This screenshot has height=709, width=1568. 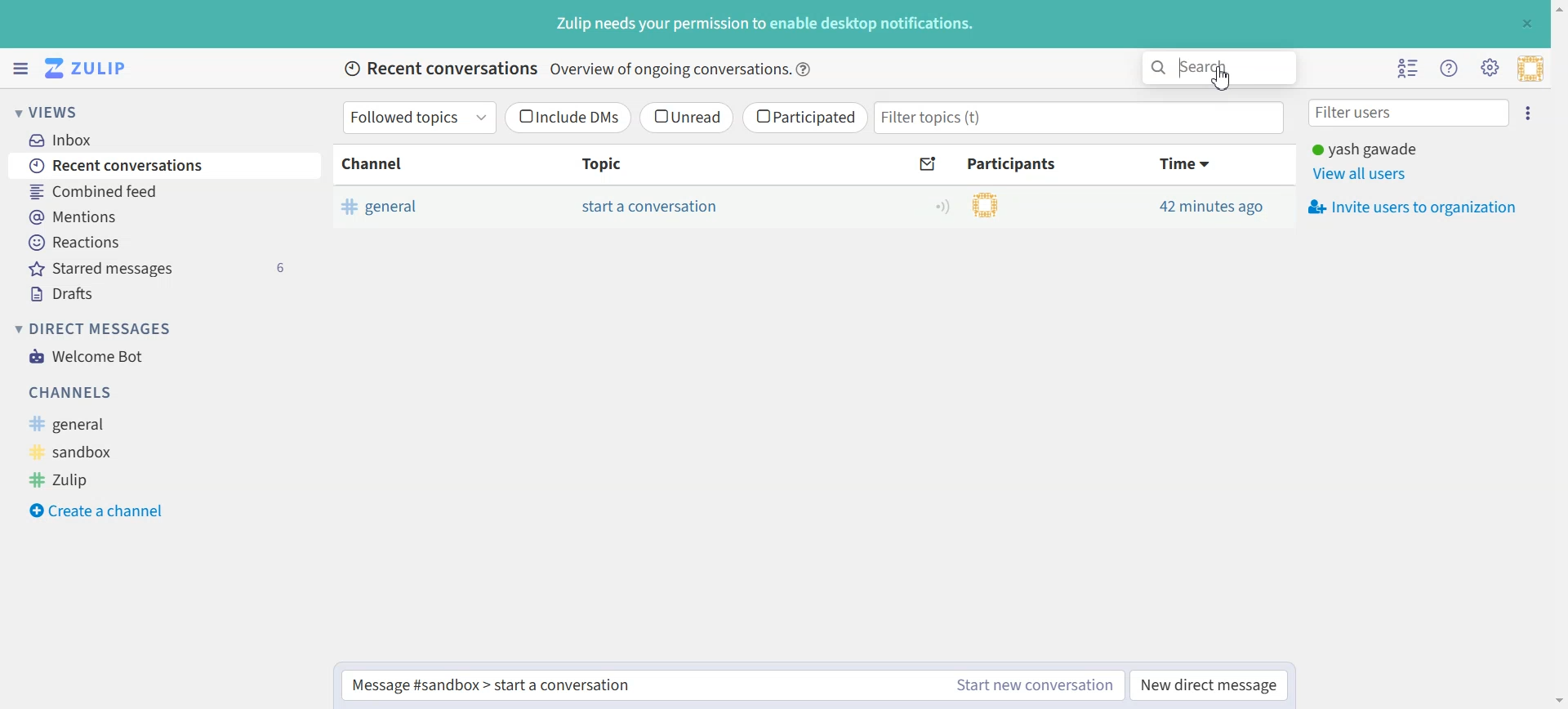 What do you see at coordinates (1381, 149) in the screenshot?
I see `yash gawade` at bounding box center [1381, 149].